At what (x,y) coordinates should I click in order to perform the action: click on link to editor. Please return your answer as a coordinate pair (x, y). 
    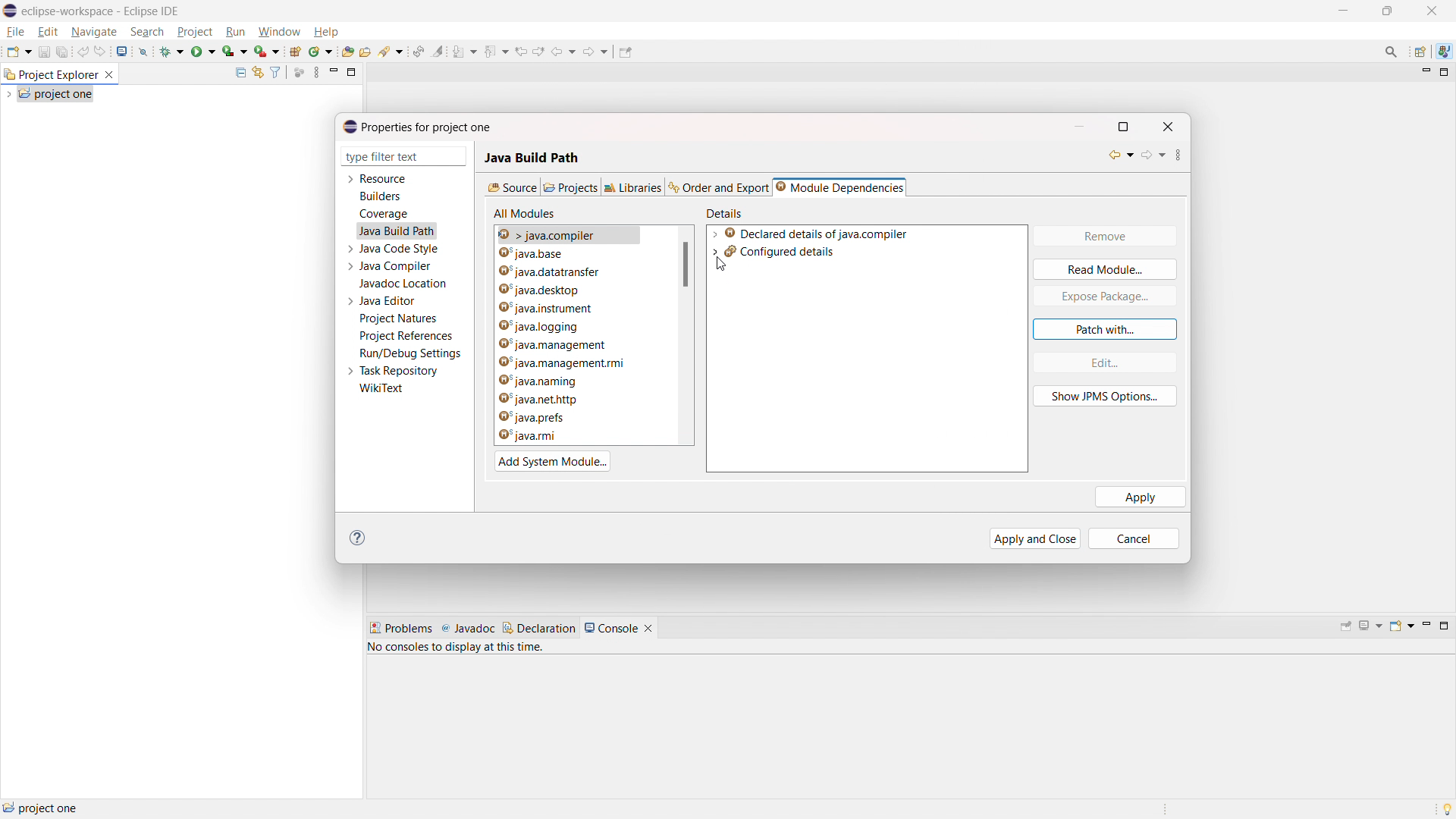
    Looking at the image, I should click on (256, 73).